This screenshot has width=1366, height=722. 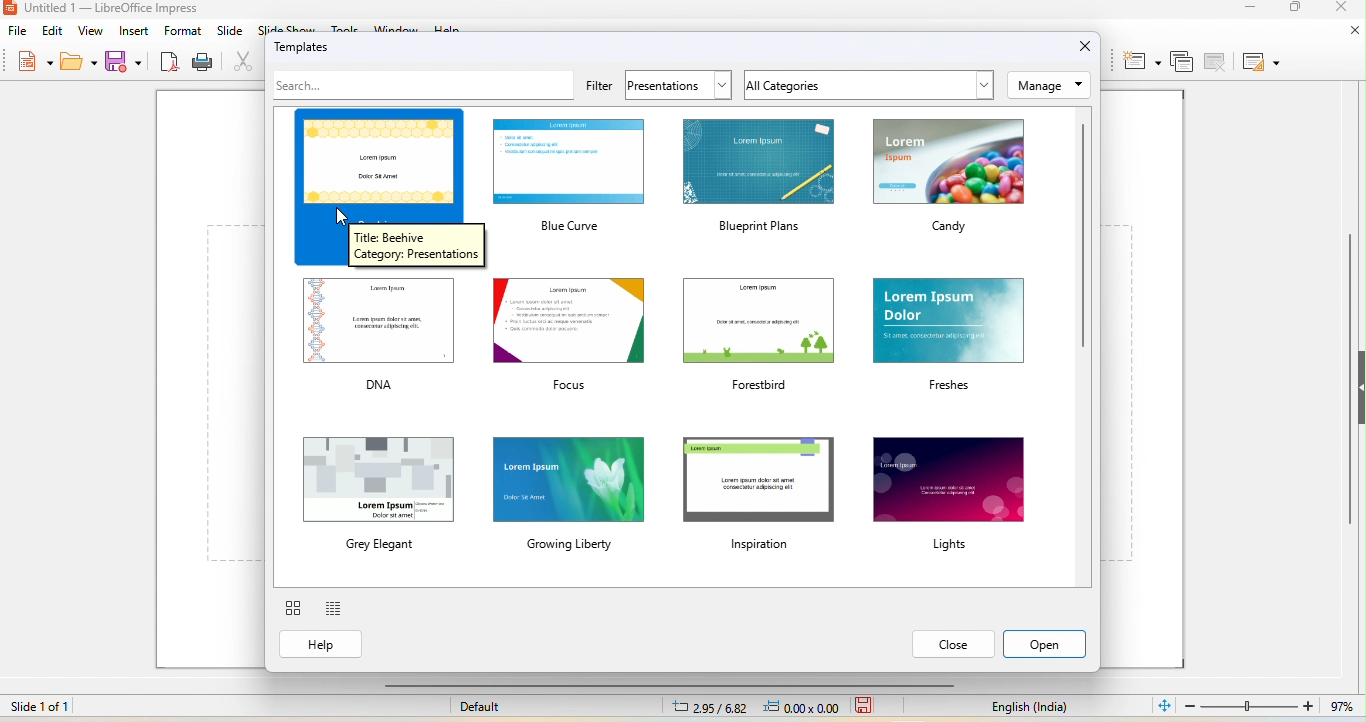 What do you see at coordinates (480, 707) in the screenshot?
I see `default` at bounding box center [480, 707].